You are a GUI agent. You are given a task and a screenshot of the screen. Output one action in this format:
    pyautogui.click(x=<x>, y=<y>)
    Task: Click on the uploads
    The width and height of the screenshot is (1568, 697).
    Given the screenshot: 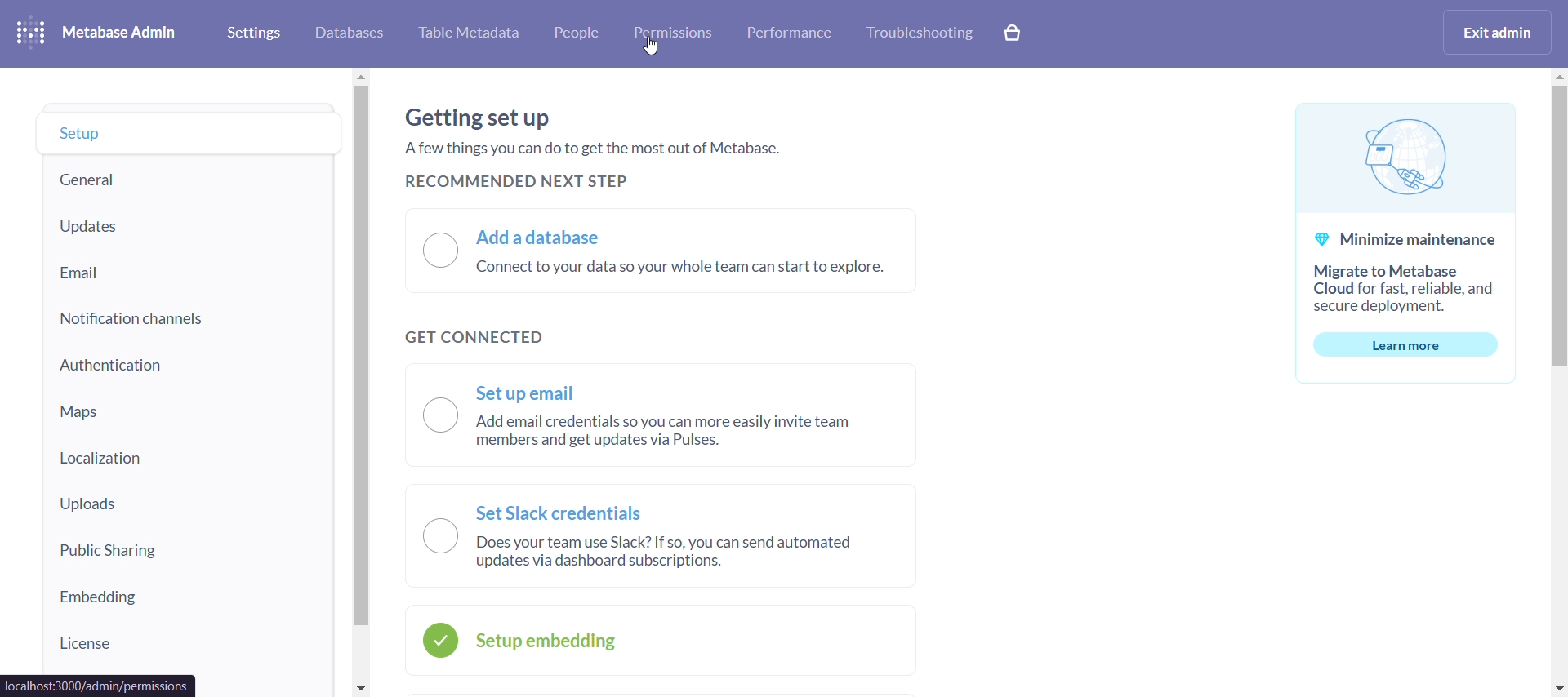 What is the action you would take?
    pyautogui.click(x=187, y=498)
    